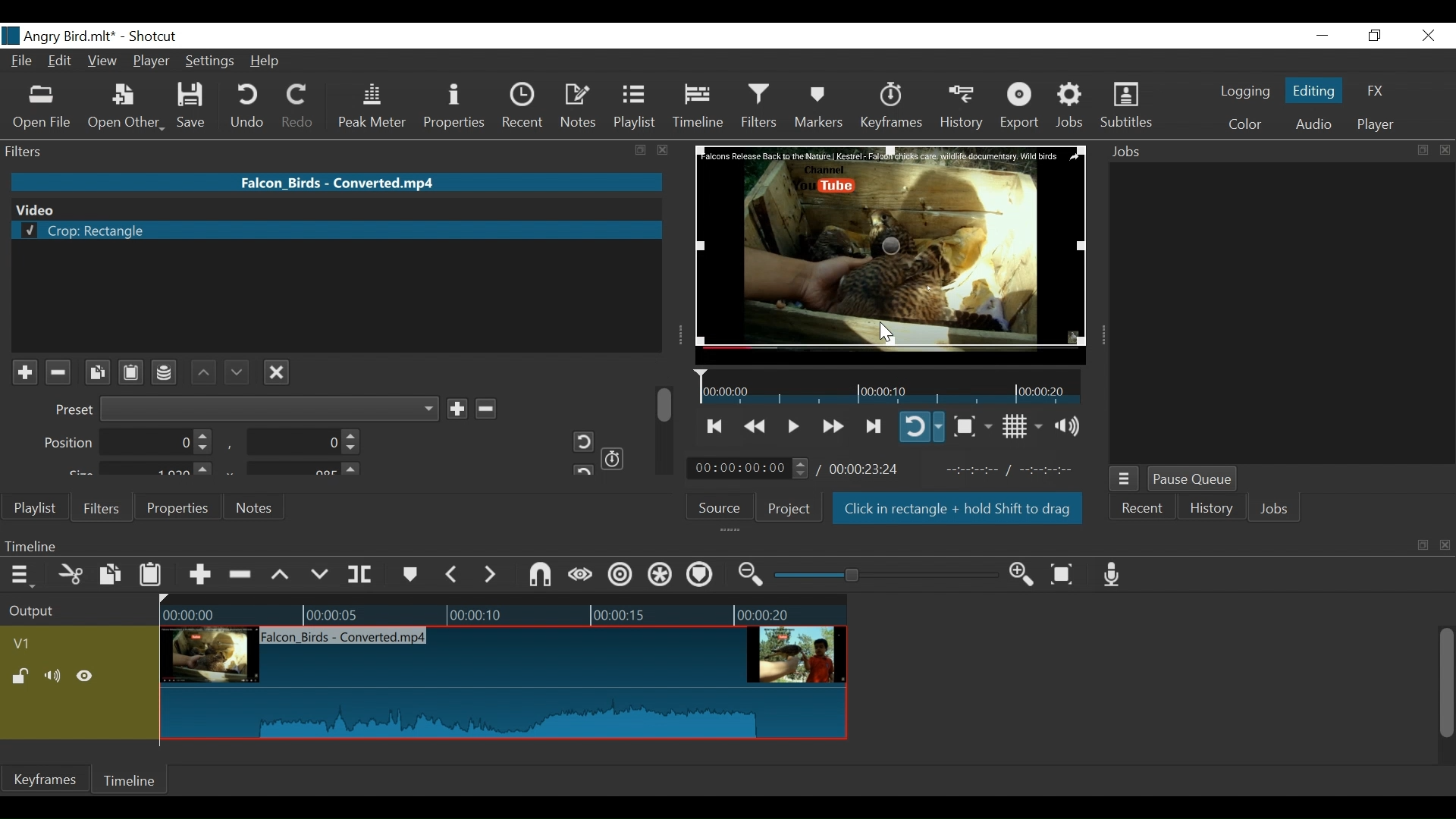  Describe the element at coordinates (77, 612) in the screenshot. I see `Output` at that location.